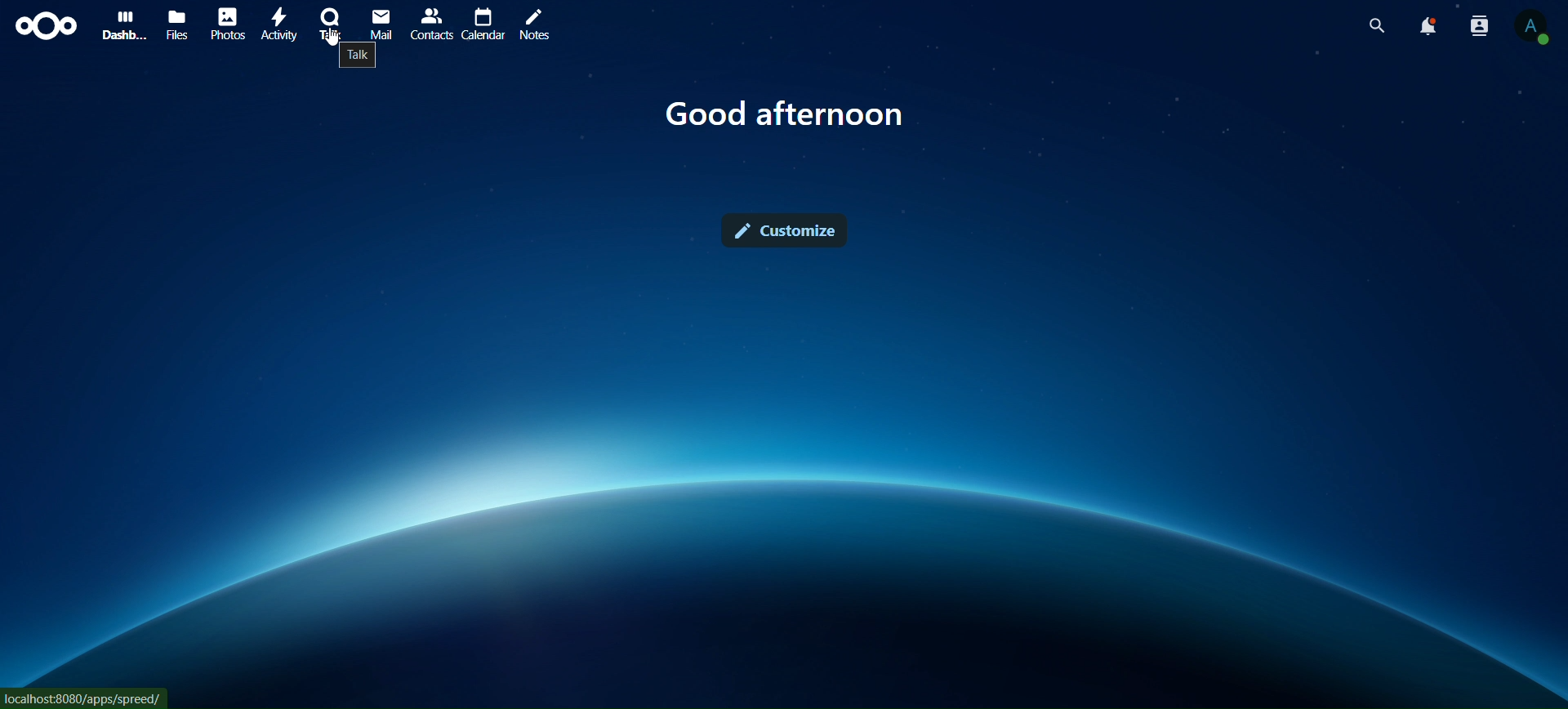 The width and height of the screenshot is (1568, 709). What do you see at coordinates (1374, 27) in the screenshot?
I see `search` at bounding box center [1374, 27].